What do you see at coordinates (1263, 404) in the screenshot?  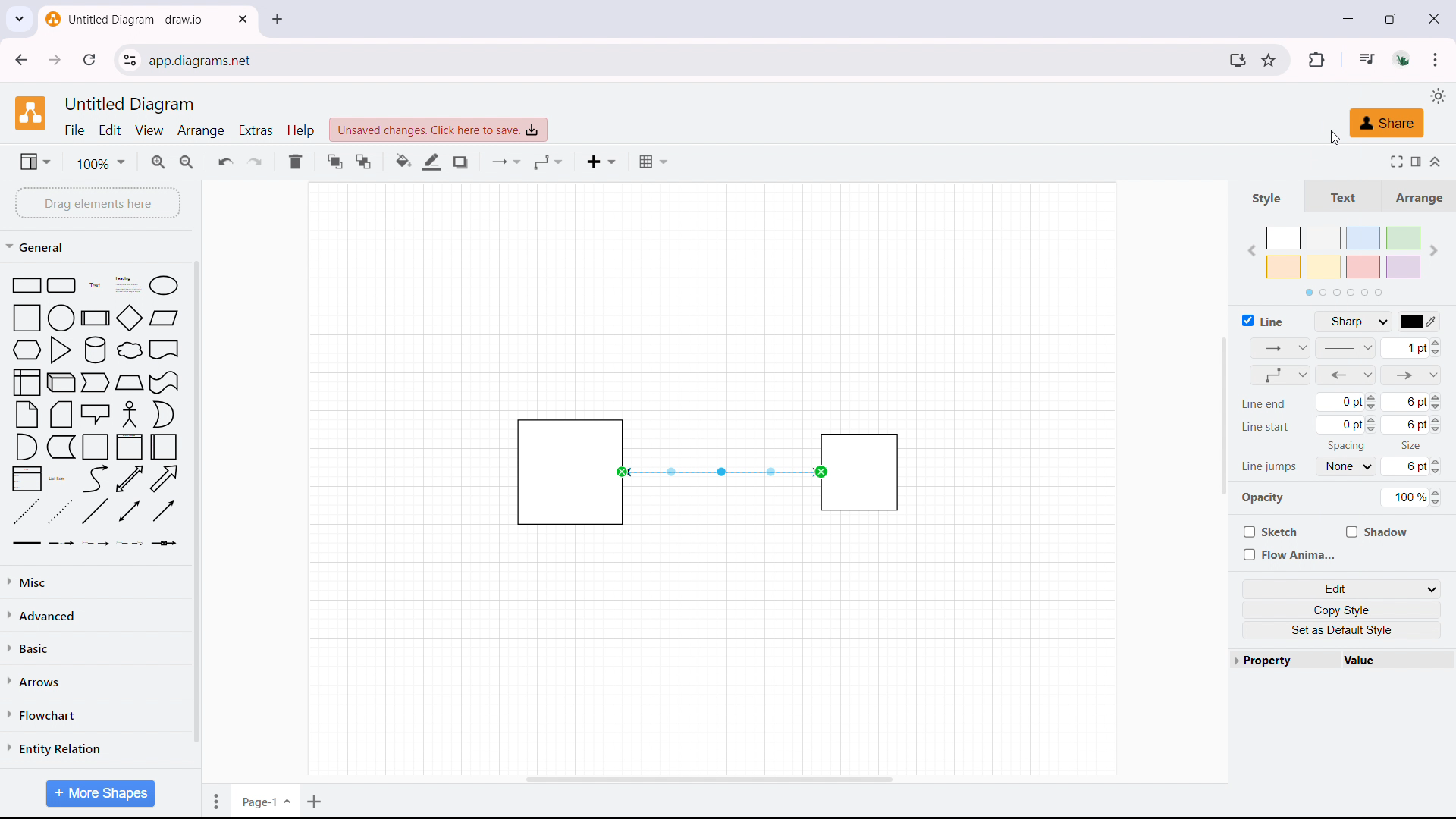 I see `Line end` at bounding box center [1263, 404].